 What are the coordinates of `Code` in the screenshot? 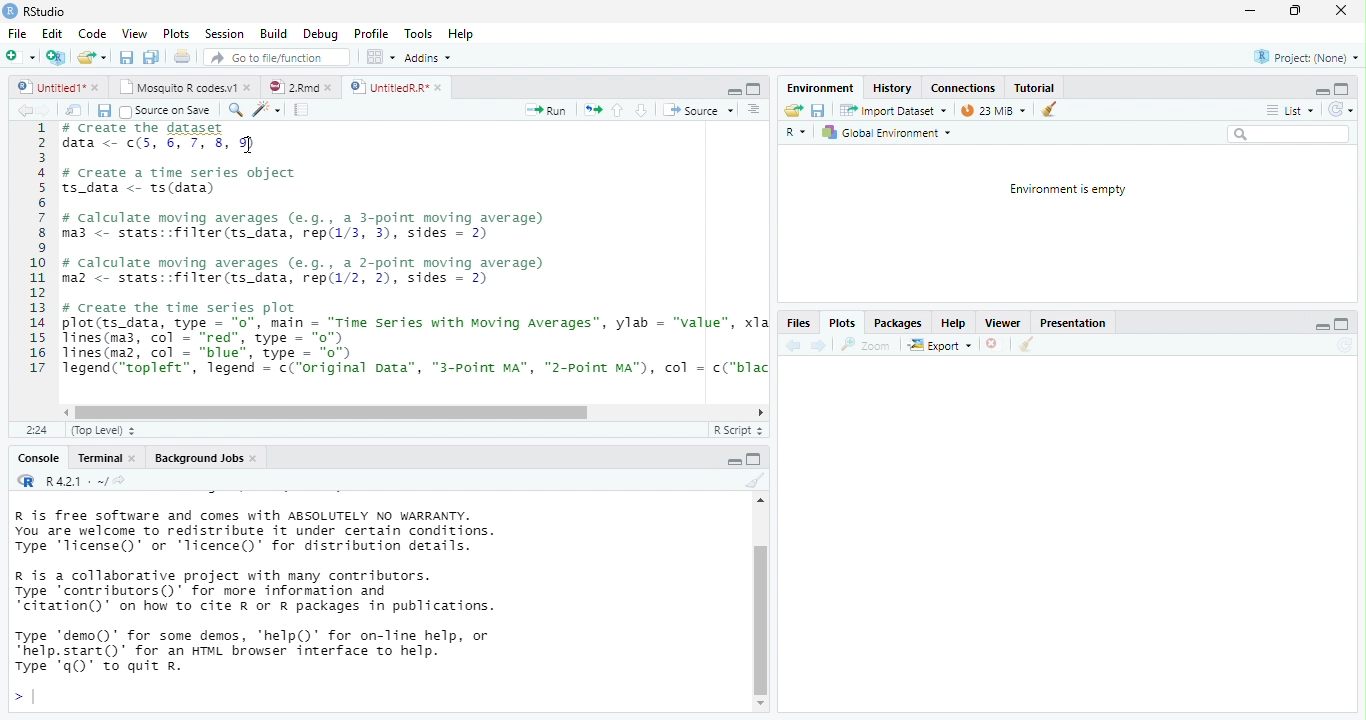 It's located at (93, 33).